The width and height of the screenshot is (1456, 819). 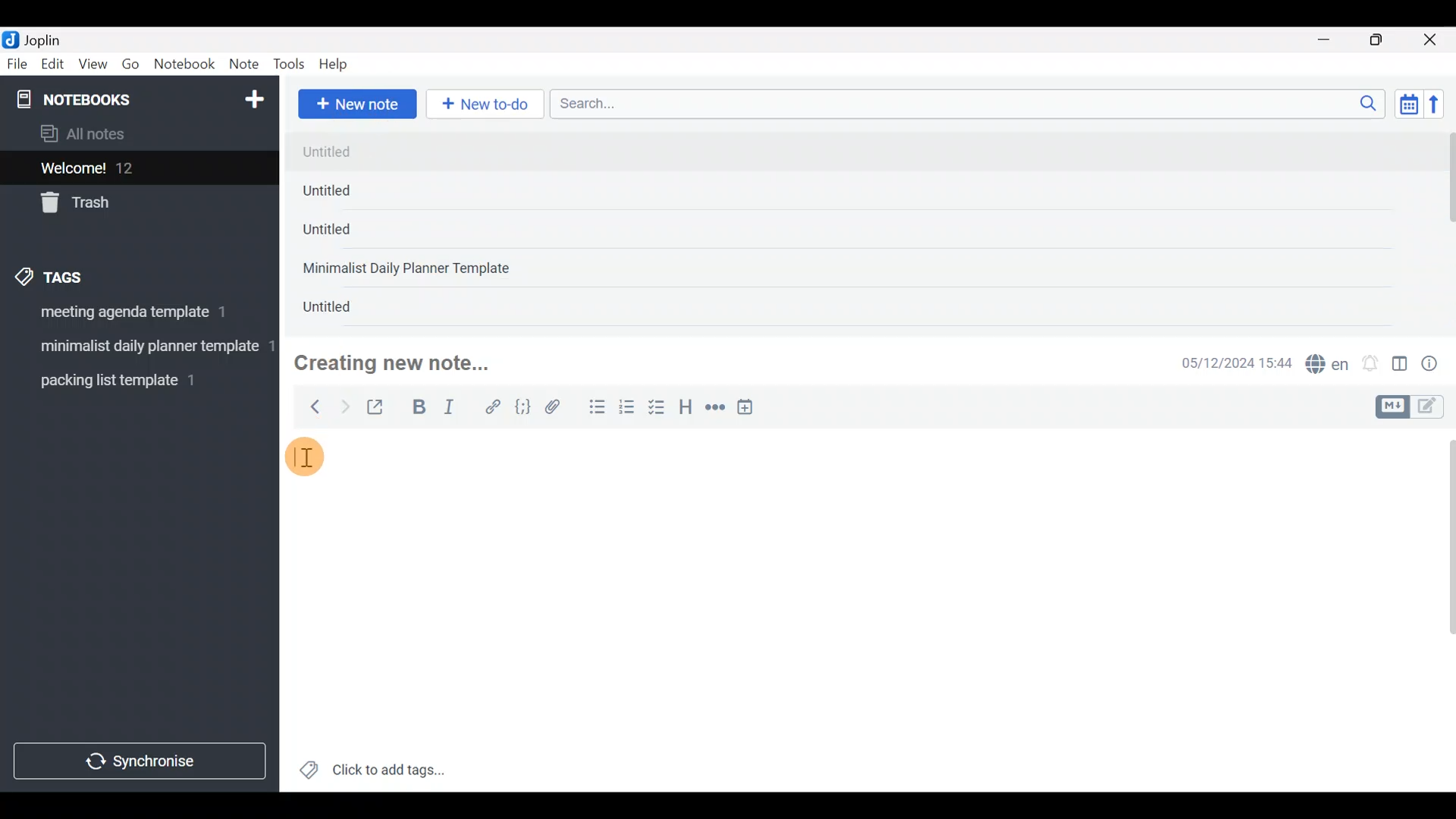 What do you see at coordinates (339, 61) in the screenshot?
I see `Help` at bounding box center [339, 61].